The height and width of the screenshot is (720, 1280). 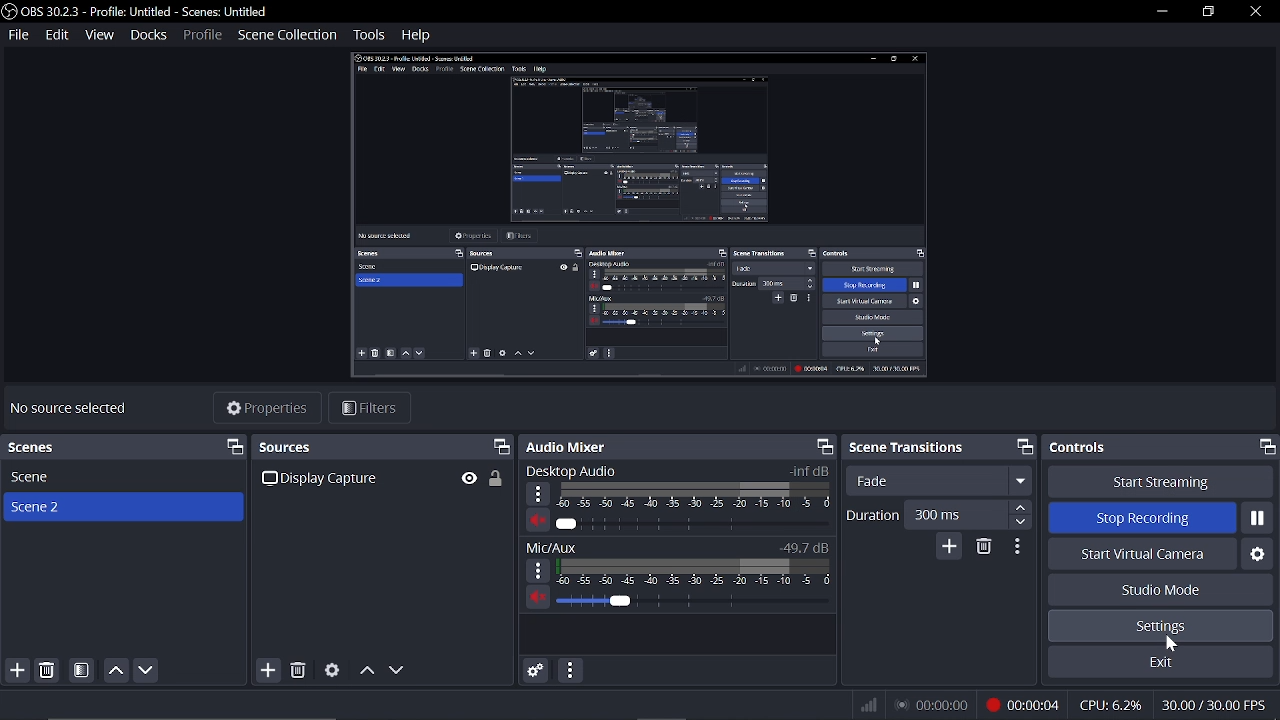 I want to click on move down source, so click(x=397, y=669).